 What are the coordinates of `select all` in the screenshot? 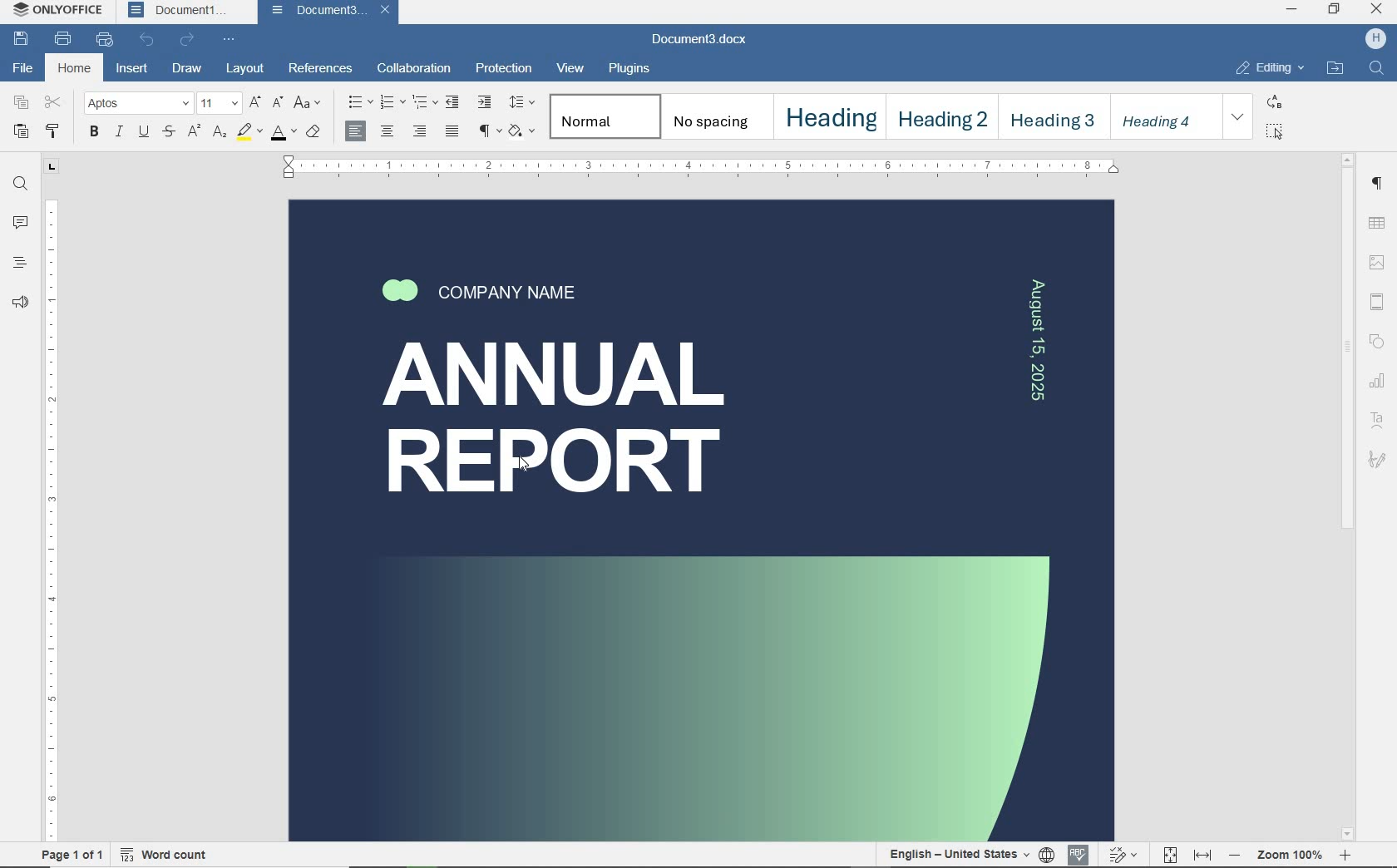 It's located at (1272, 131).